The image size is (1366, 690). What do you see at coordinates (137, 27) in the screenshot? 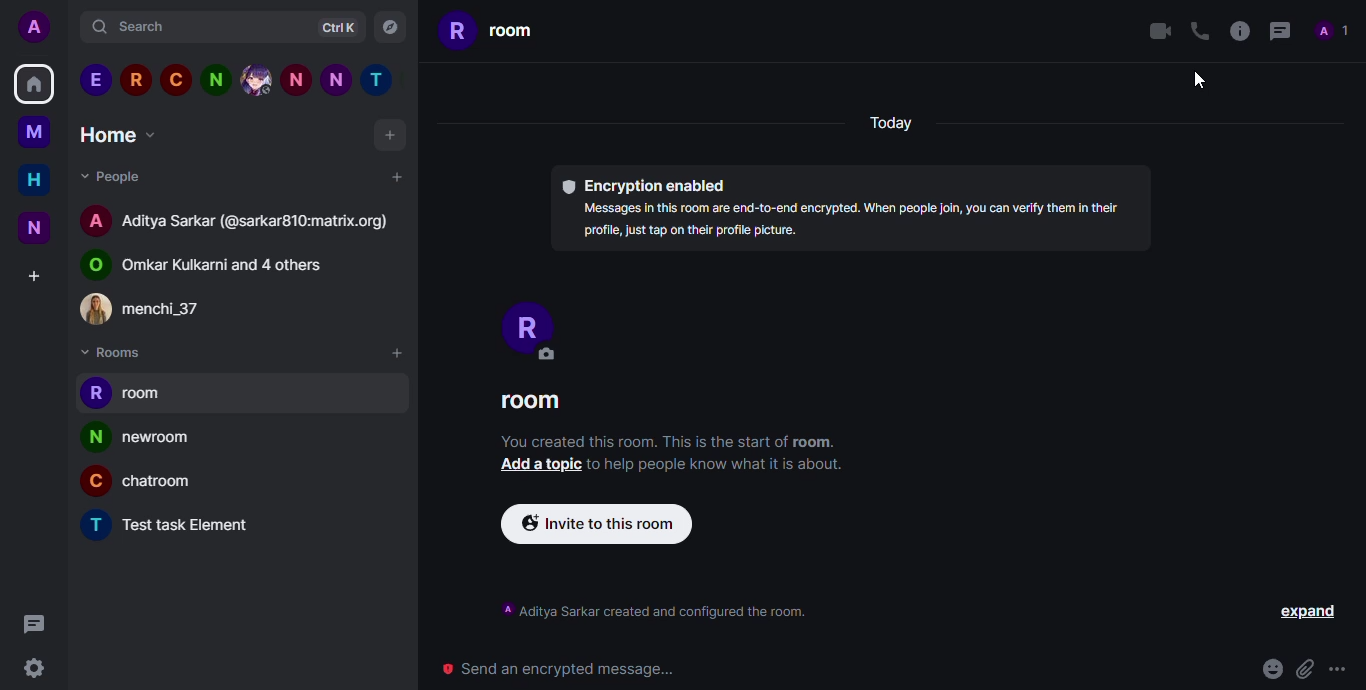
I see `Search` at bounding box center [137, 27].